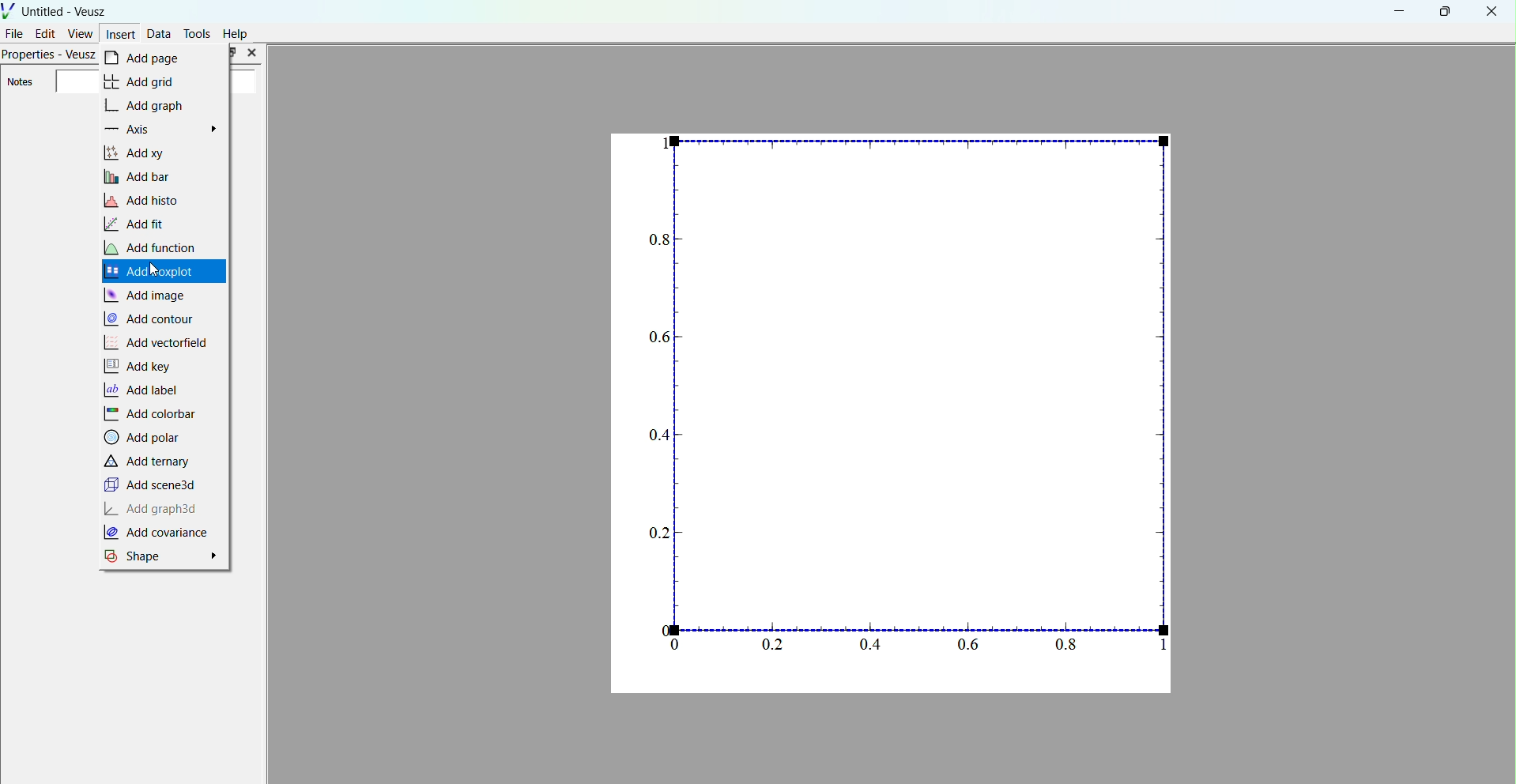 Image resolution: width=1516 pixels, height=784 pixels. What do you see at coordinates (145, 153) in the screenshot?
I see `Add xy` at bounding box center [145, 153].